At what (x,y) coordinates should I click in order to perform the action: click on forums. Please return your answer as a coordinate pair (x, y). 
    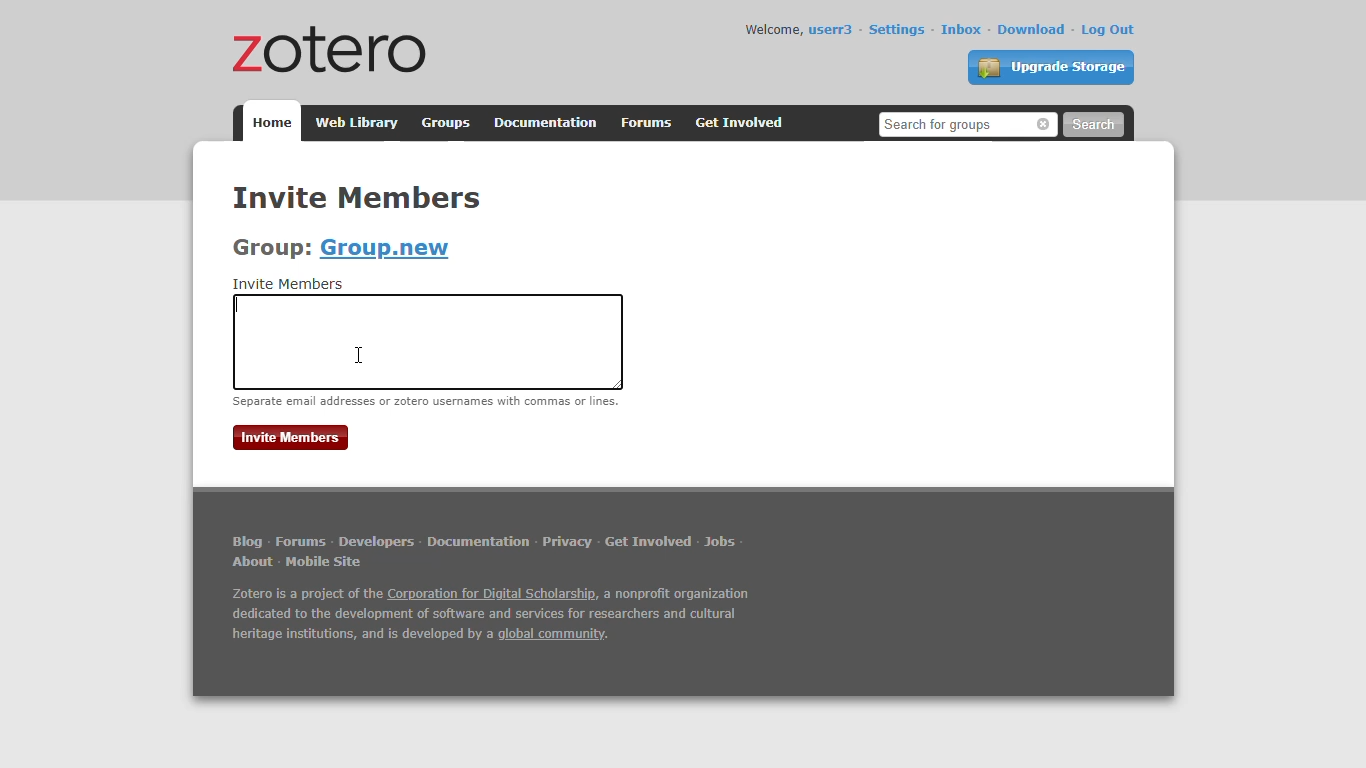
    Looking at the image, I should click on (646, 123).